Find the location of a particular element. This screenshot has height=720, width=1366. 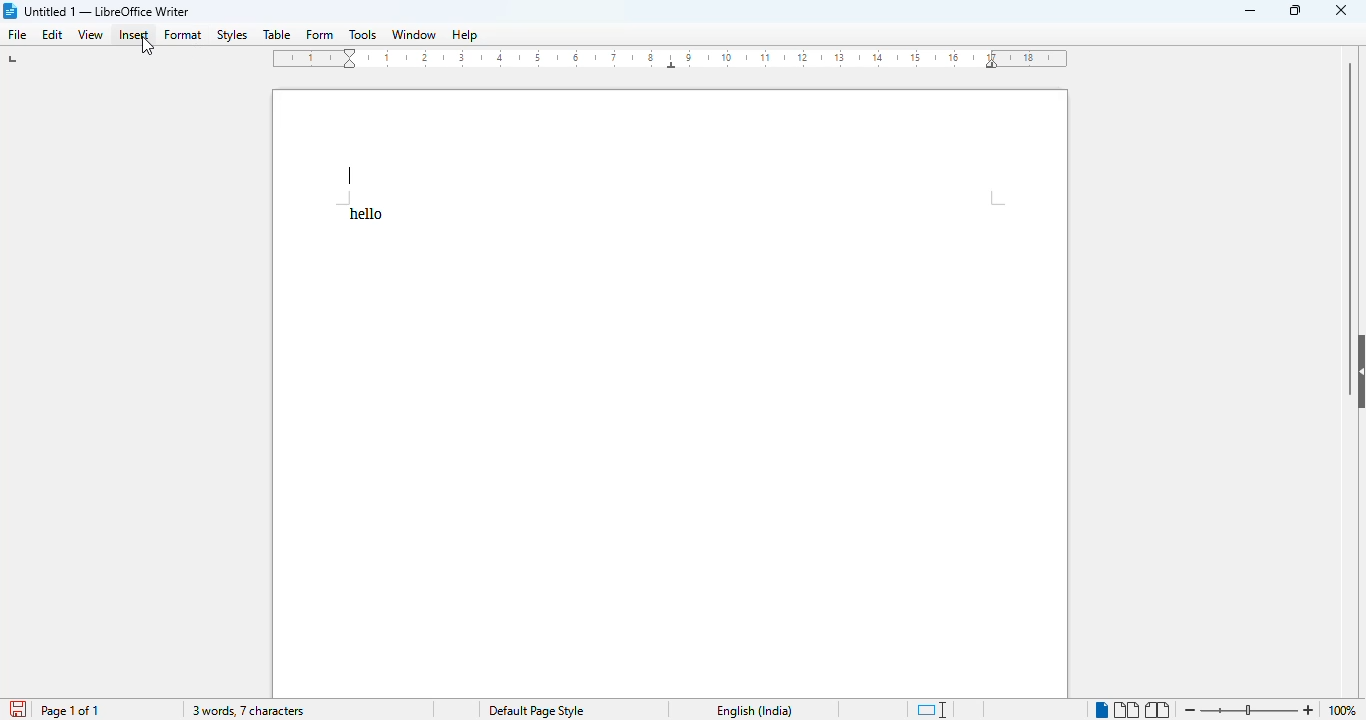

form is located at coordinates (320, 34).